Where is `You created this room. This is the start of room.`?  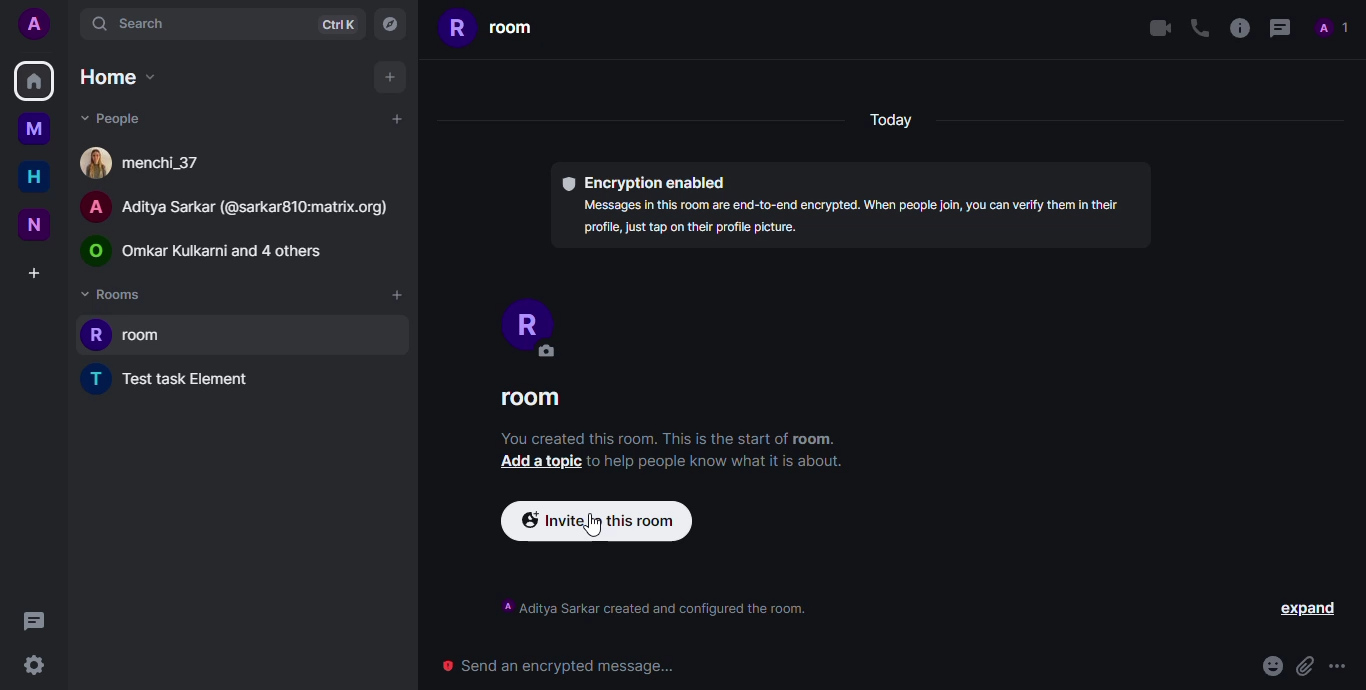
You created this room. This is the start of room. is located at coordinates (671, 437).